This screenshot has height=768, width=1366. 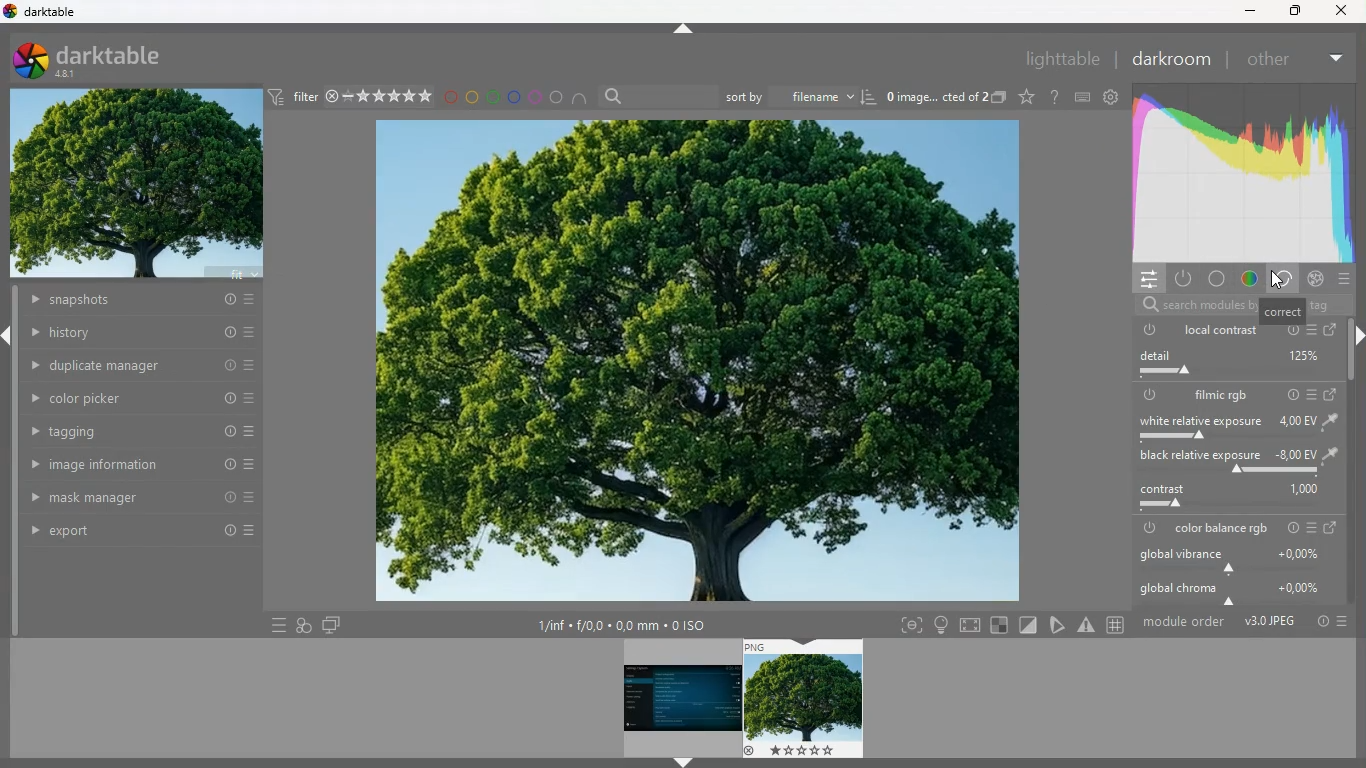 What do you see at coordinates (941, 625) in the screenshot?
I see `light` at bounding box center [941, 625].